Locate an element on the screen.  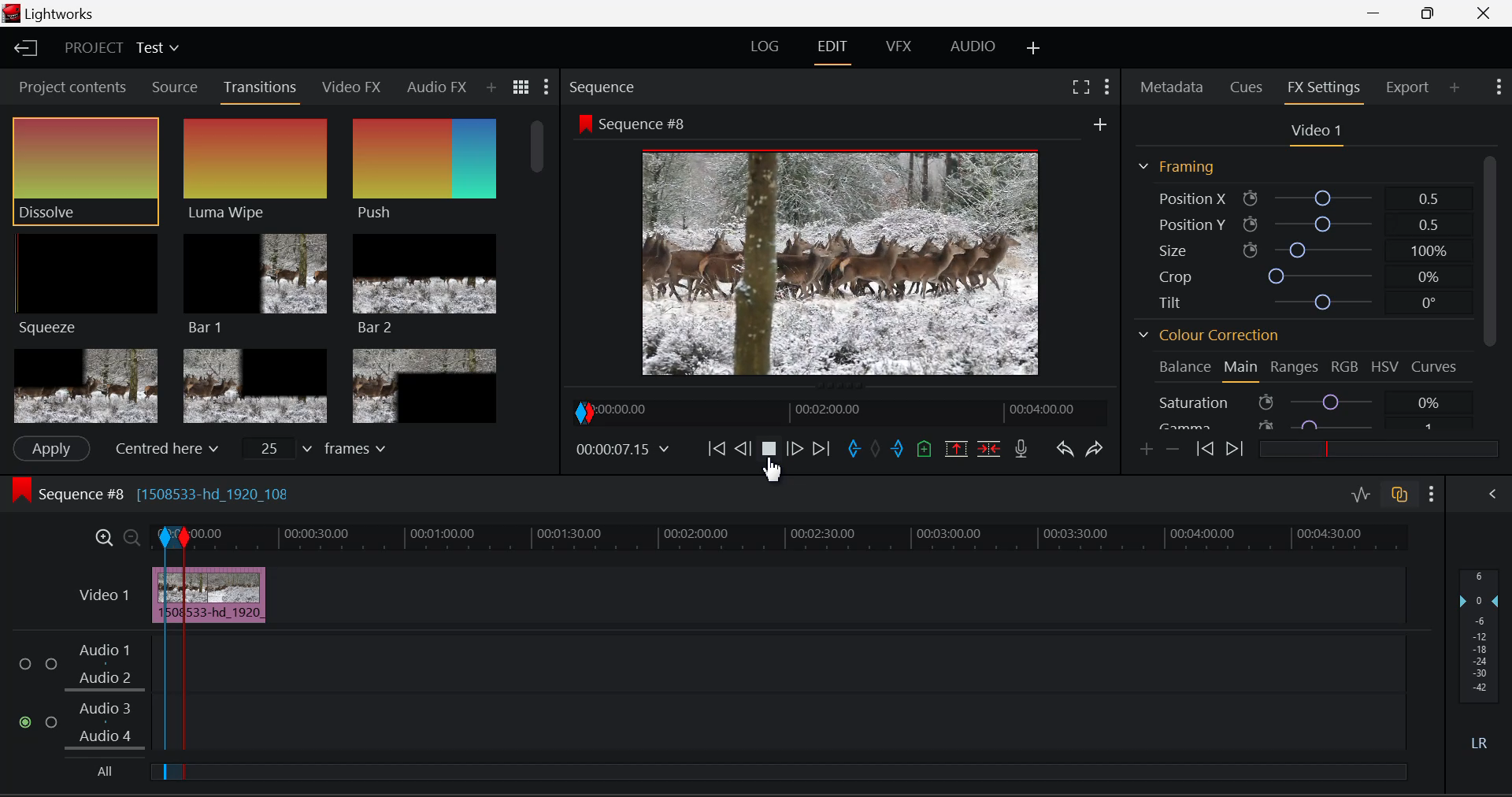
Audio 3 is located at coordinates (105, 710).